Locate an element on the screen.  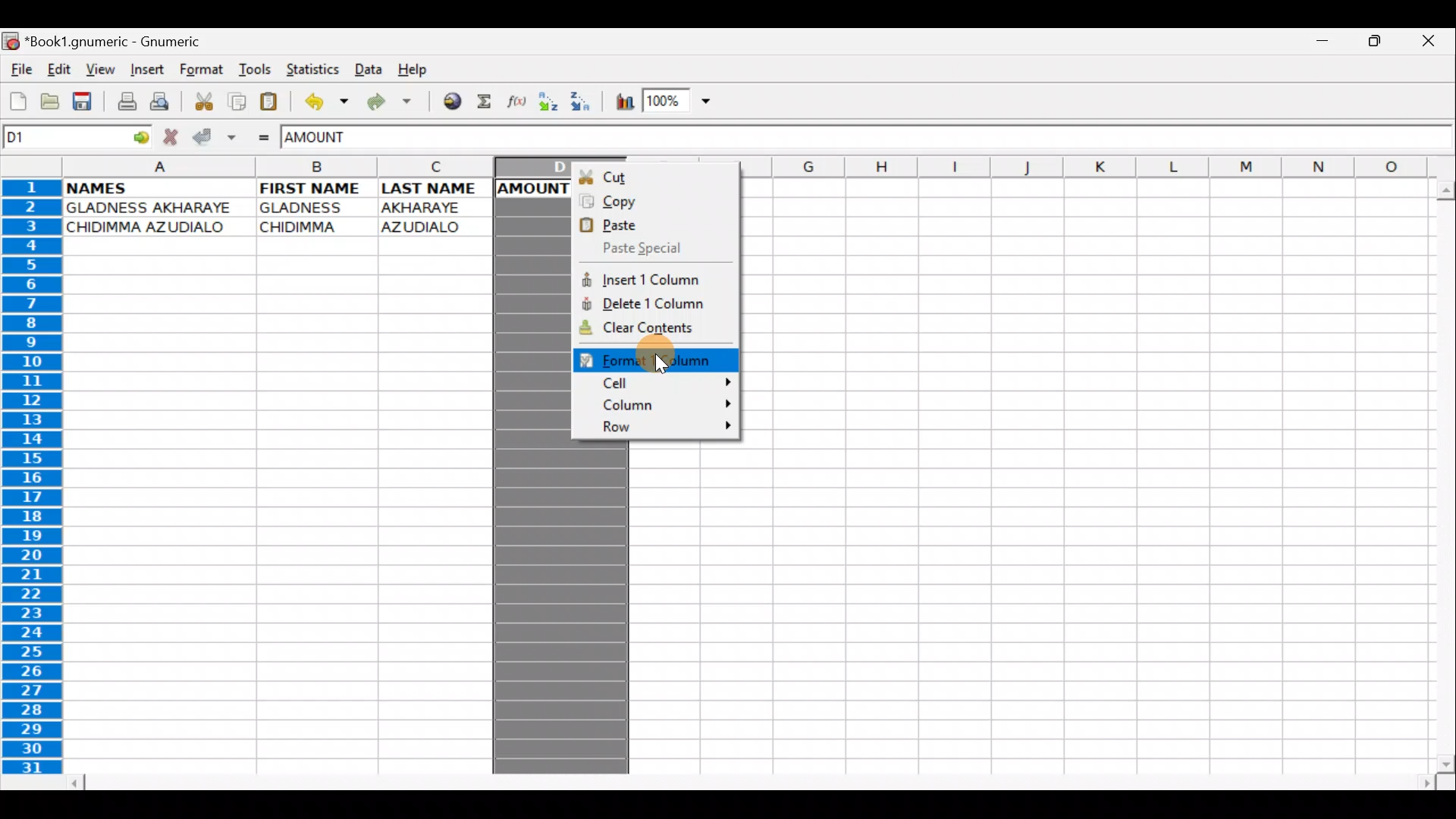
AZUDIALO is located at coordinates (427, 226).